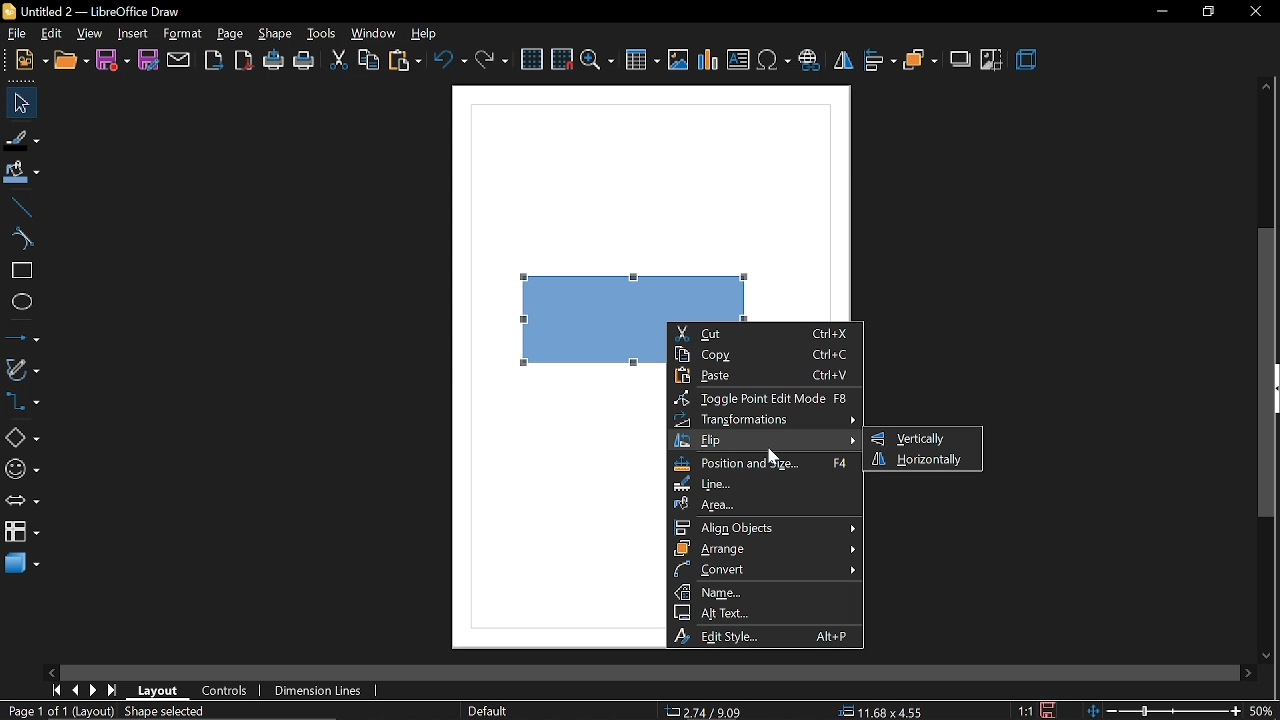  I want to click on cut, so click(338, 61).